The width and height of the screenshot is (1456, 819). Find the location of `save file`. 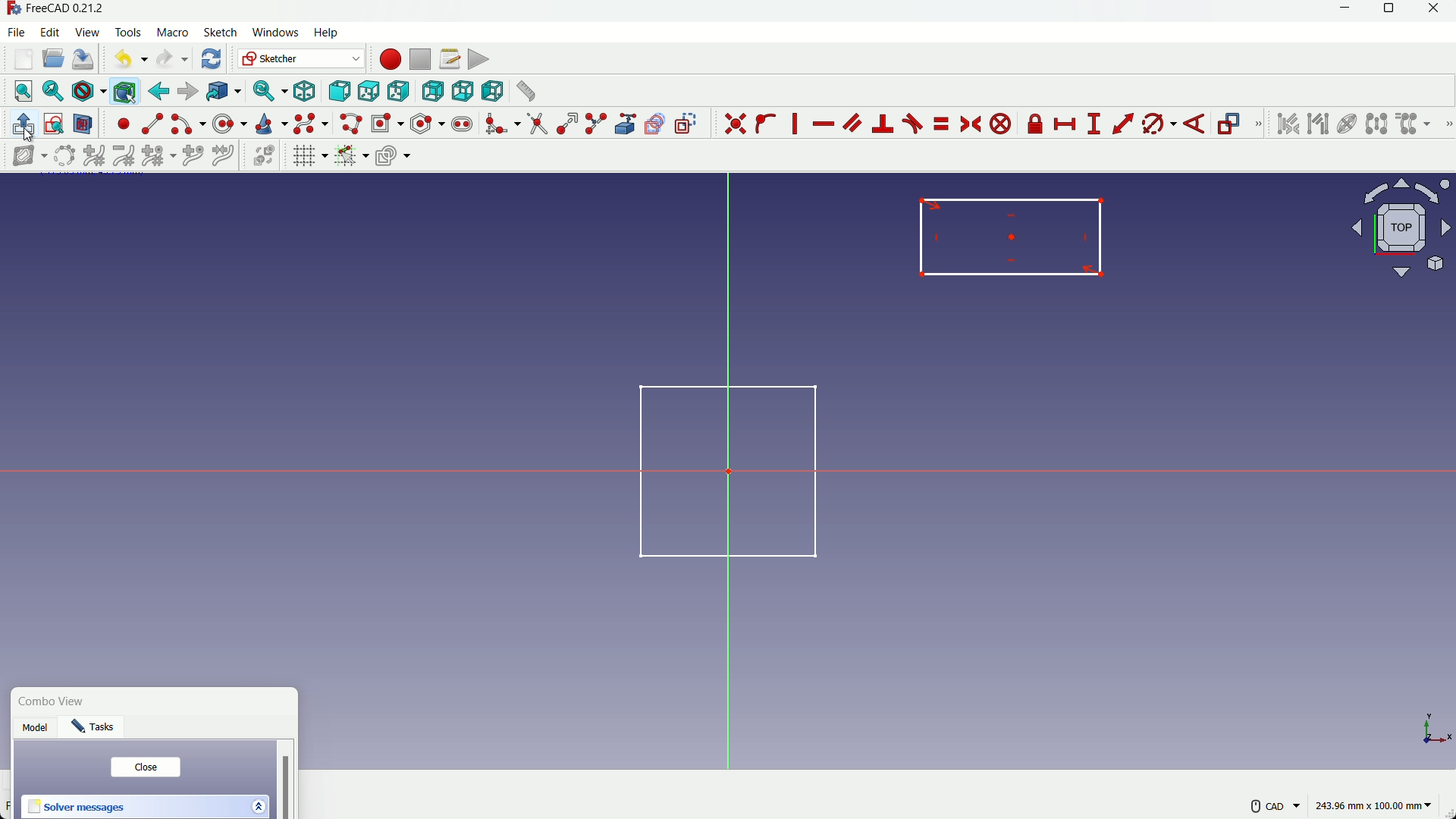

save file is located at coordinates (83, 60).